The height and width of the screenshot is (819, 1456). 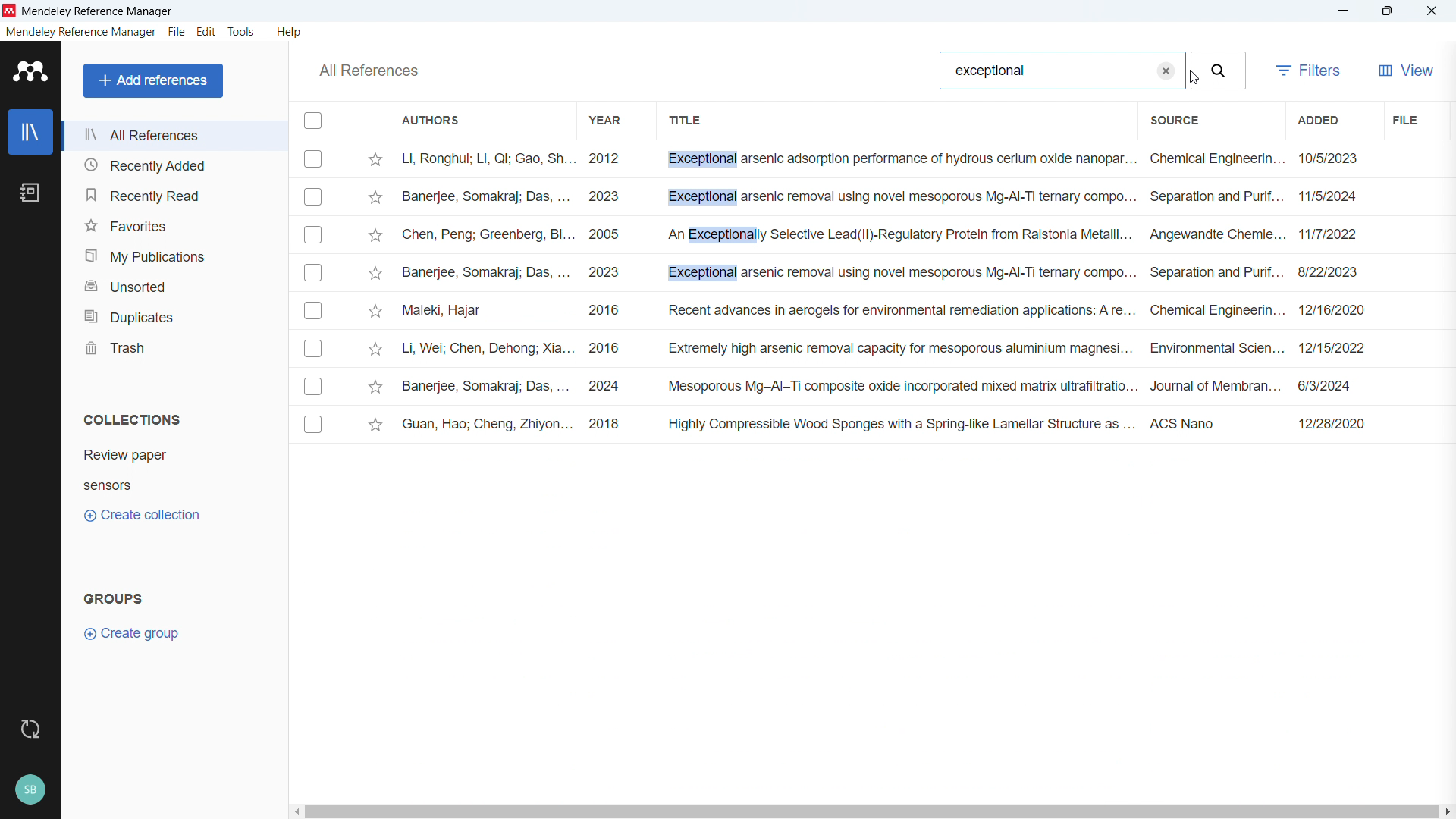 I want to click on Select all , so click(x=314, y=120).